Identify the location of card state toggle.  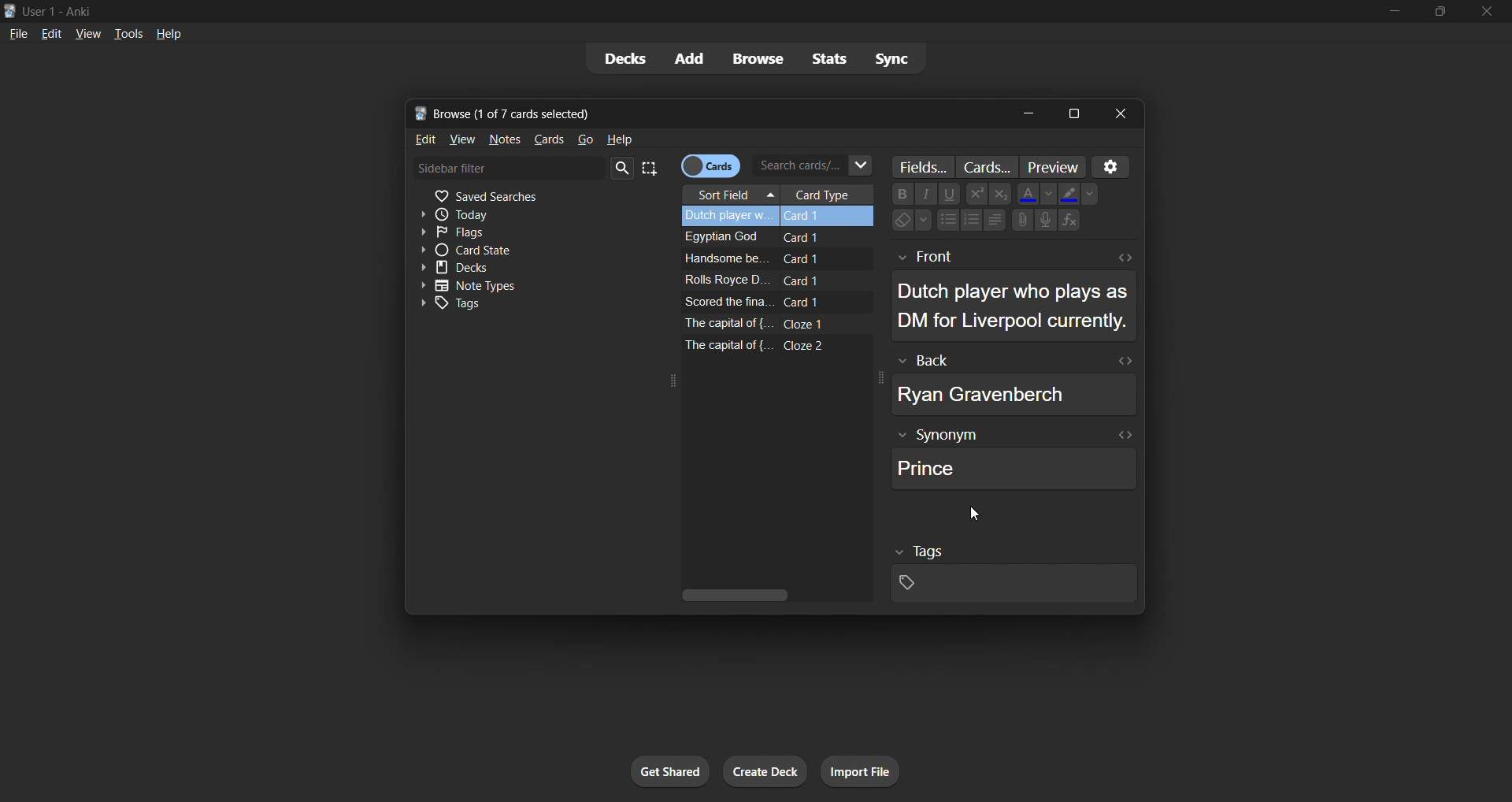
(510, 249).